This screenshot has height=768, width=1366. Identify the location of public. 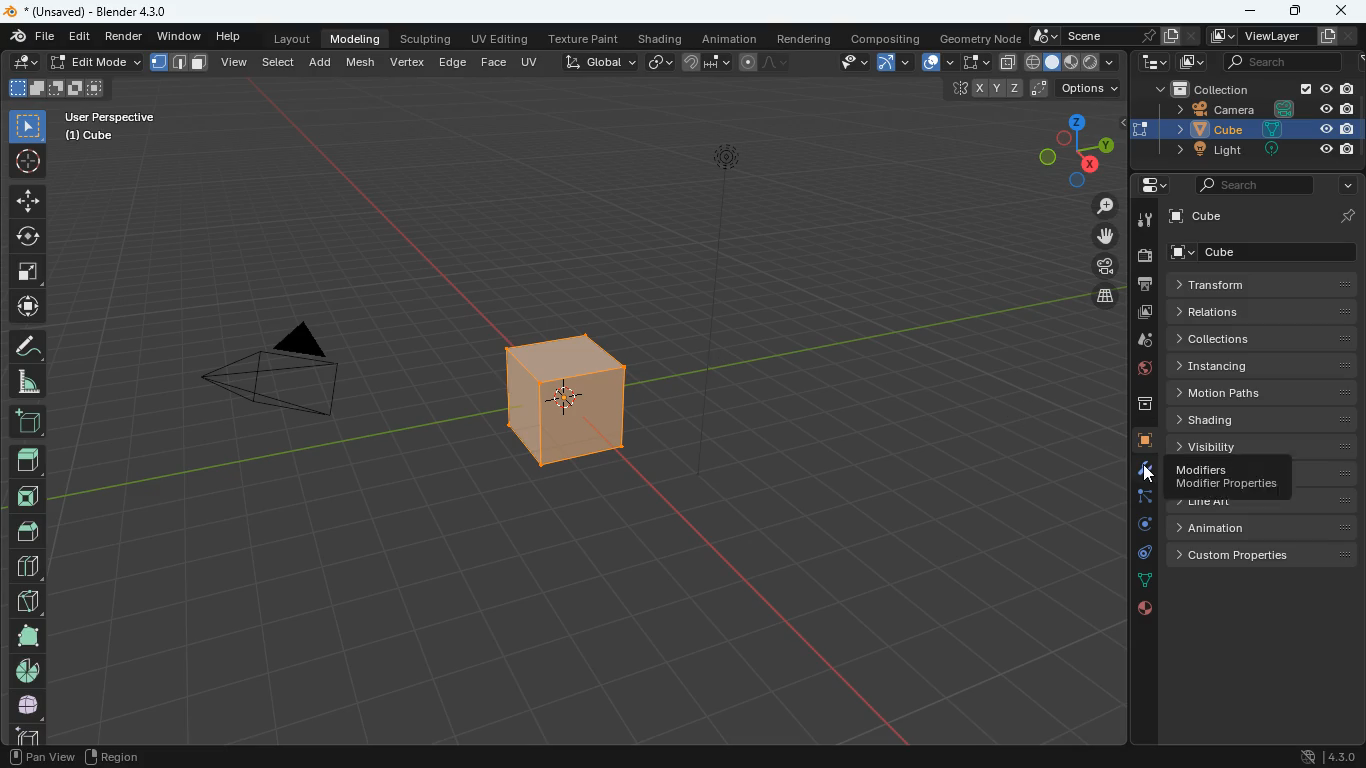
(1146, 611).